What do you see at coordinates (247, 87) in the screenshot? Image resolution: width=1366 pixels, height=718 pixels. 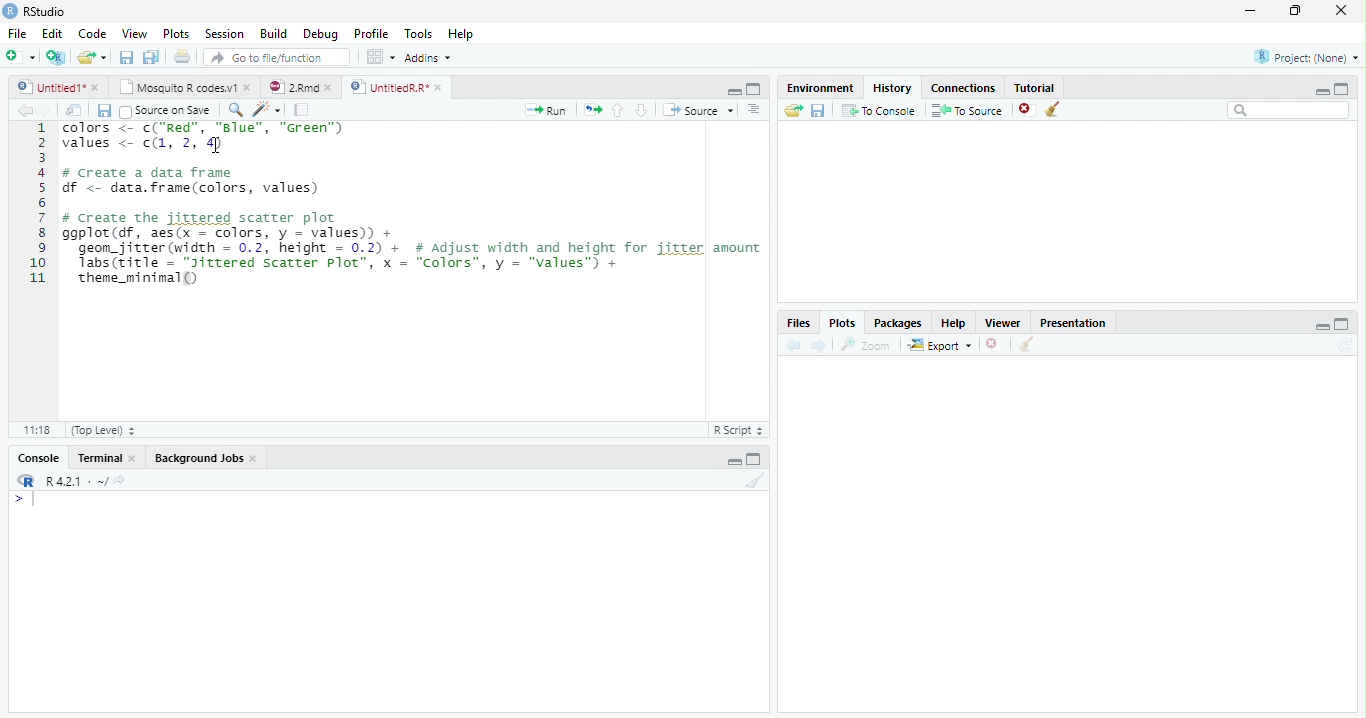 I see `close` at bounding box center [247, 87].